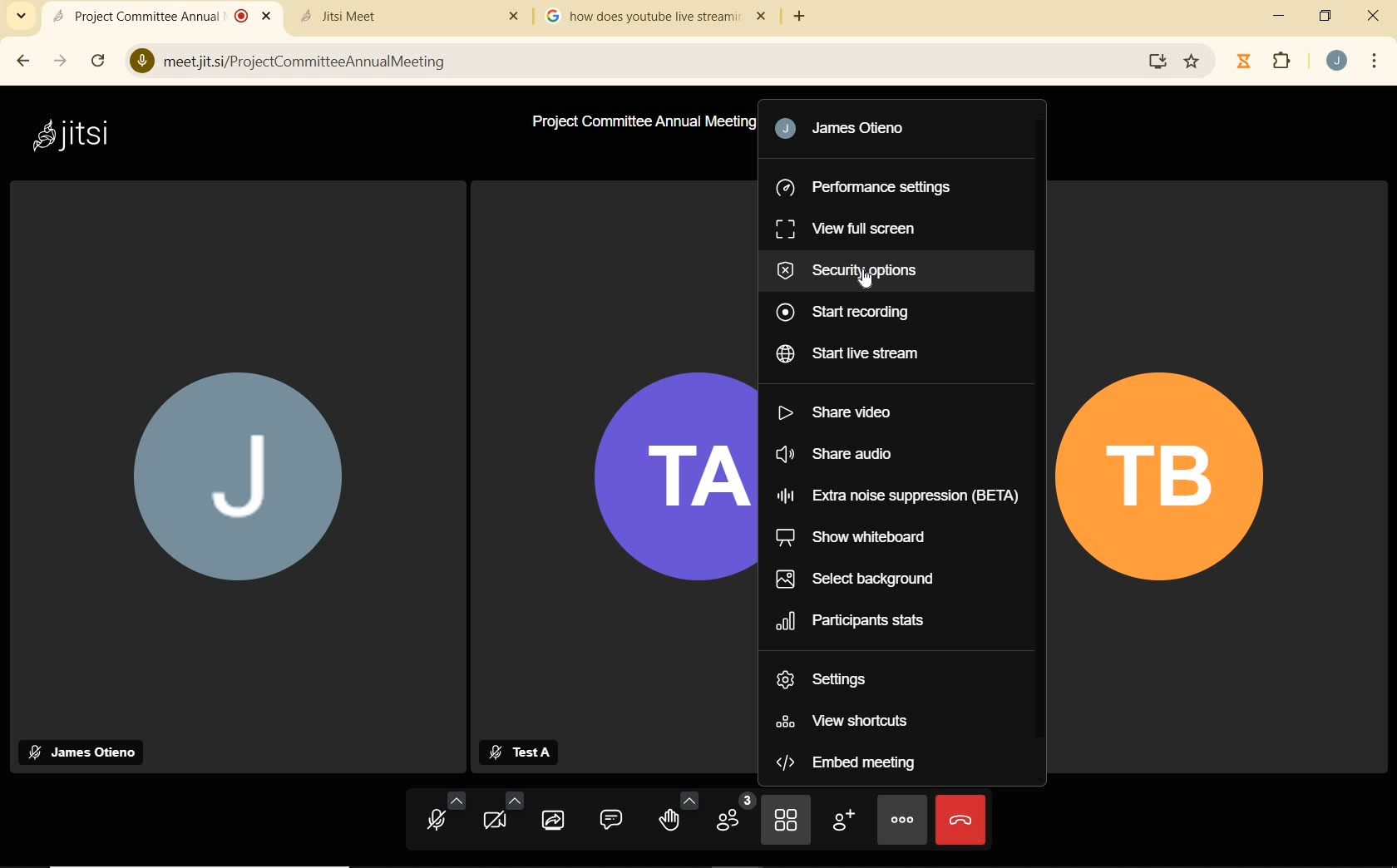 This screenshot has width=1397, height=868. Describe the element at coordinates (1157, 62) in the screenshot. I see `screen` at that location.